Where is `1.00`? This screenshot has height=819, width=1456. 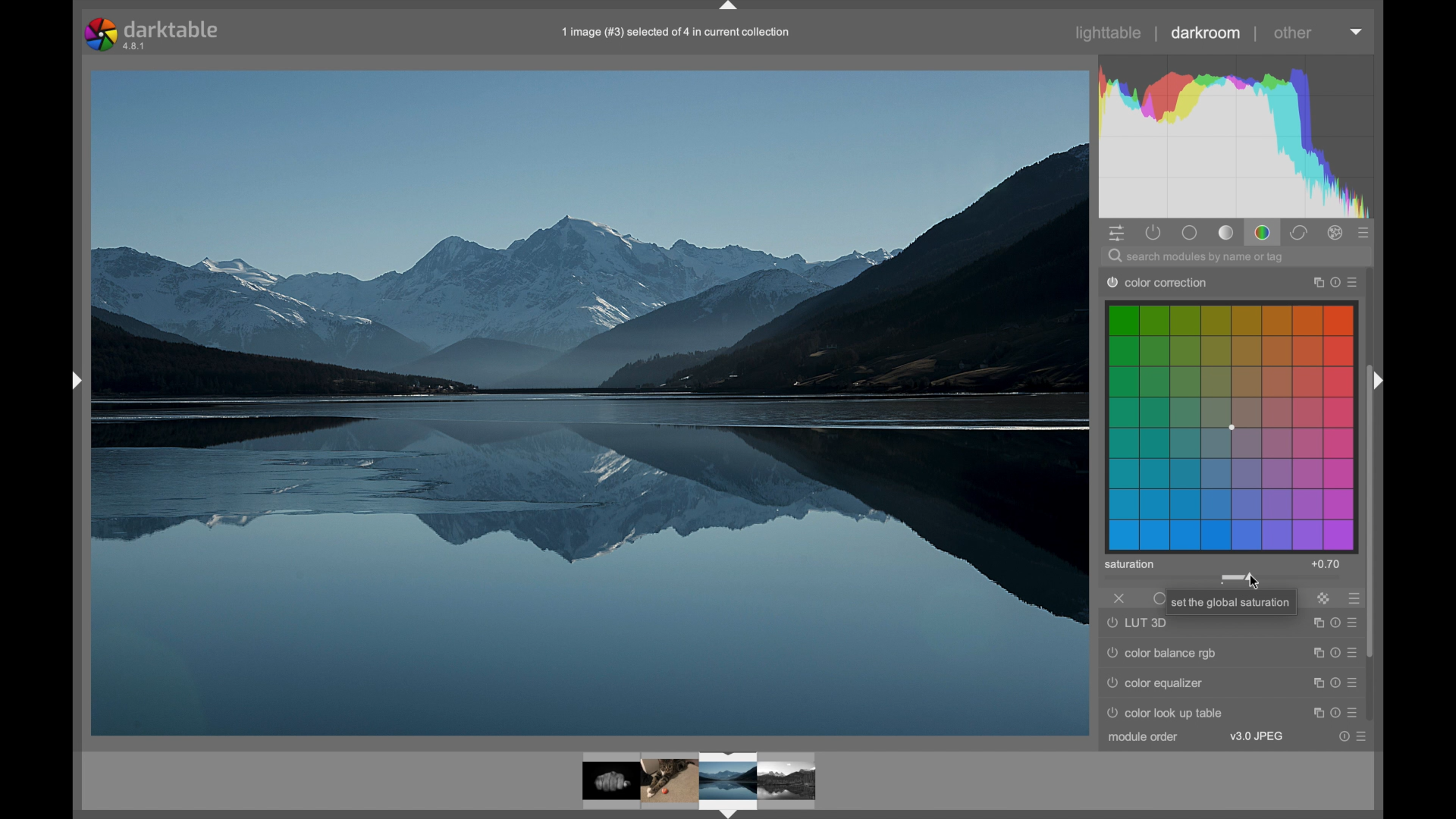
1.00 is located at coordinates (1328, 564).